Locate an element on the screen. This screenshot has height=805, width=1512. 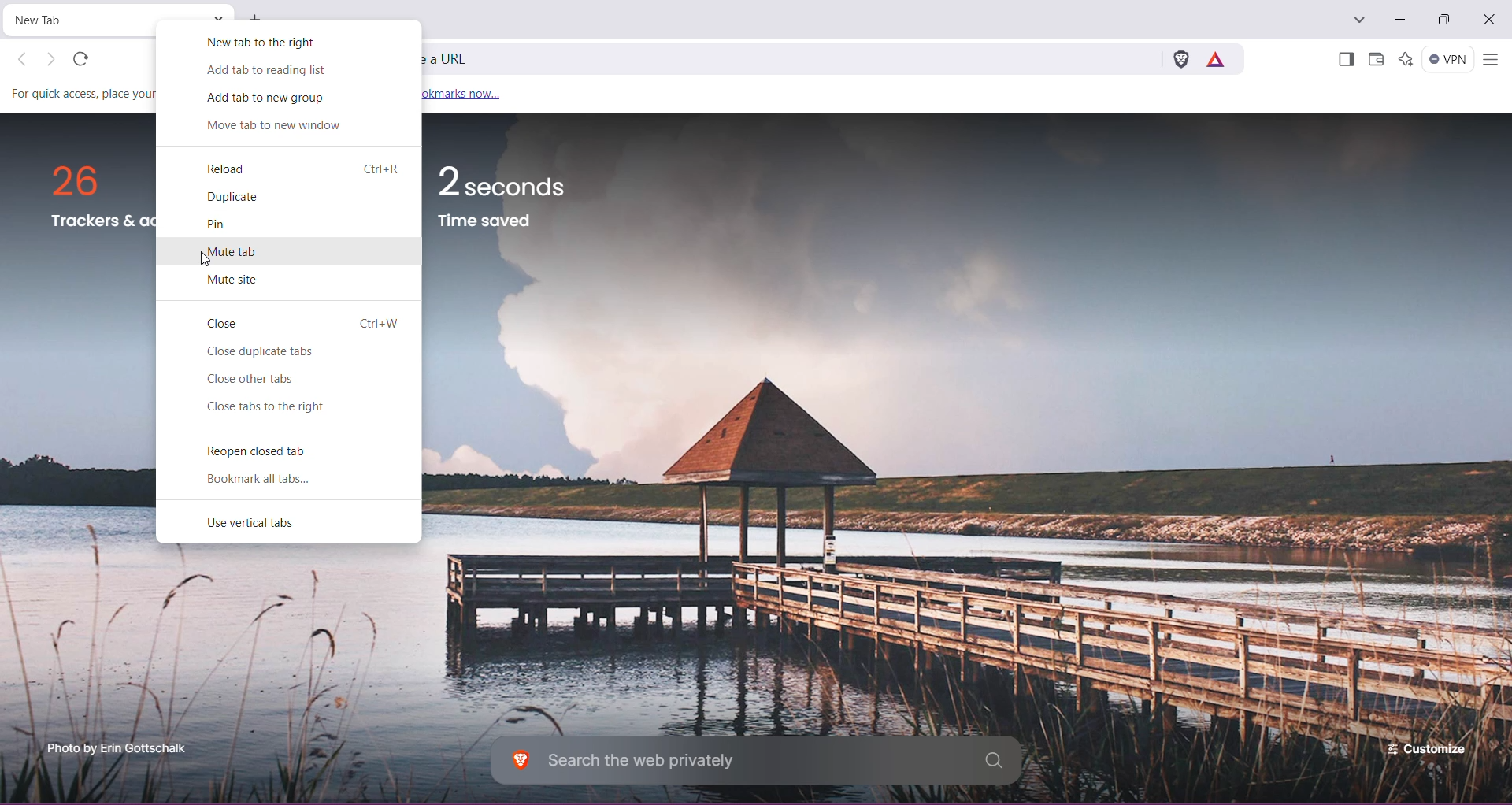
Restore Down is located at coordinates (1443, 20).